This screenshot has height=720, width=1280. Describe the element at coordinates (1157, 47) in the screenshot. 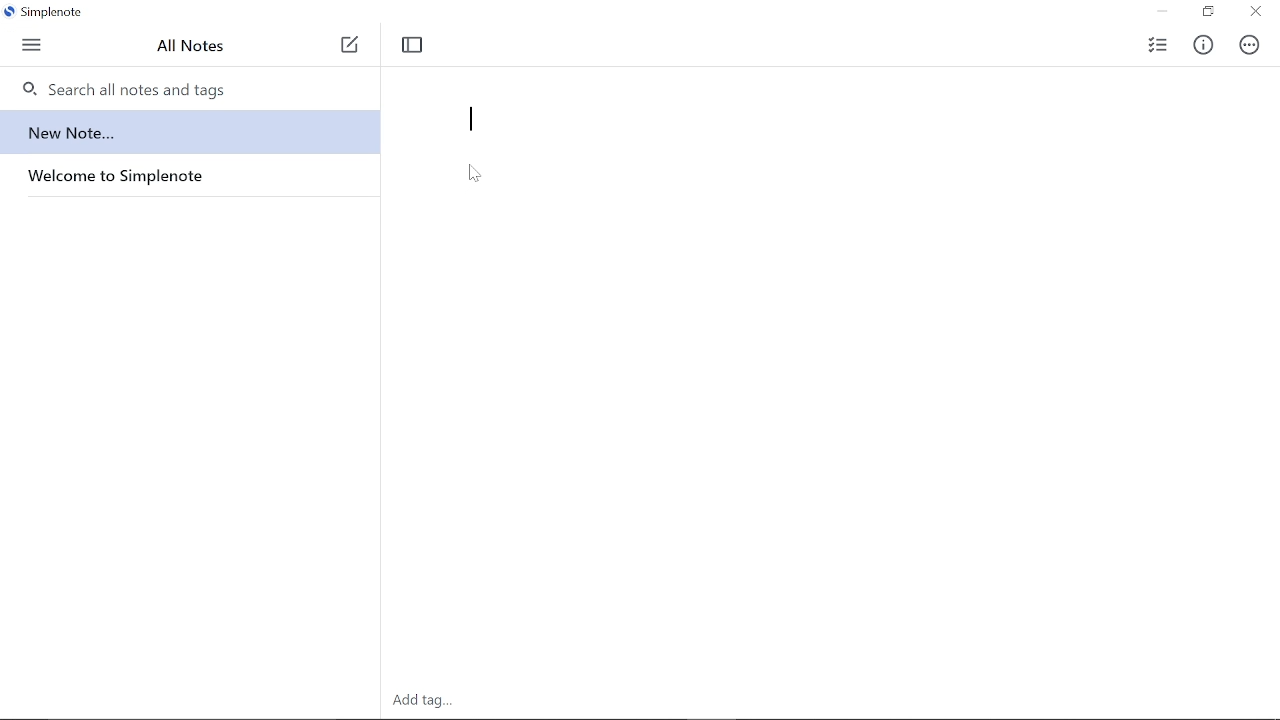

I see `Checklist` at that location.